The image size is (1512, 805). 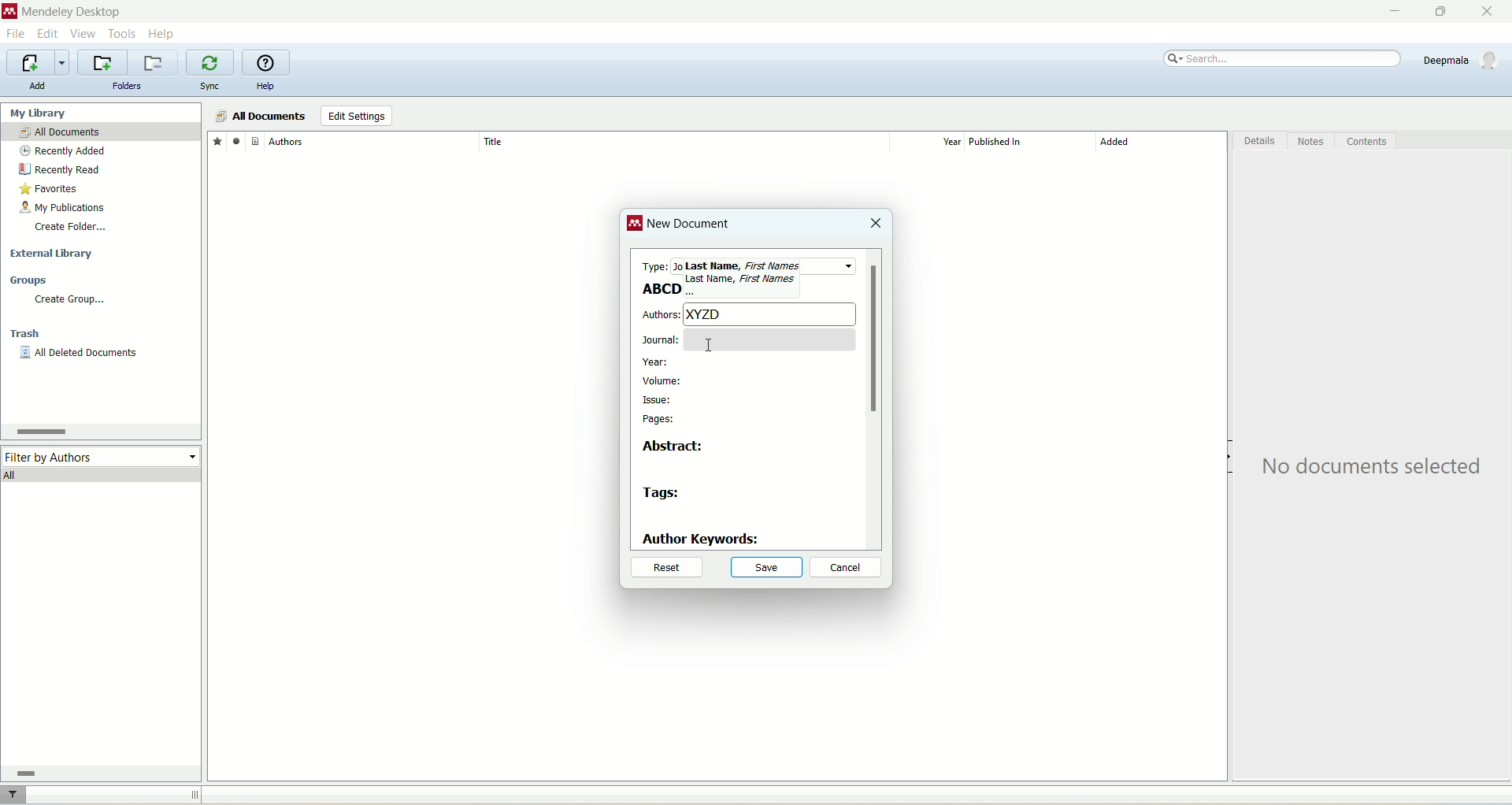 What do you see at coordinates (847, 568) in the screenshot?
I see `cancel` at bounding box center [847, 568].